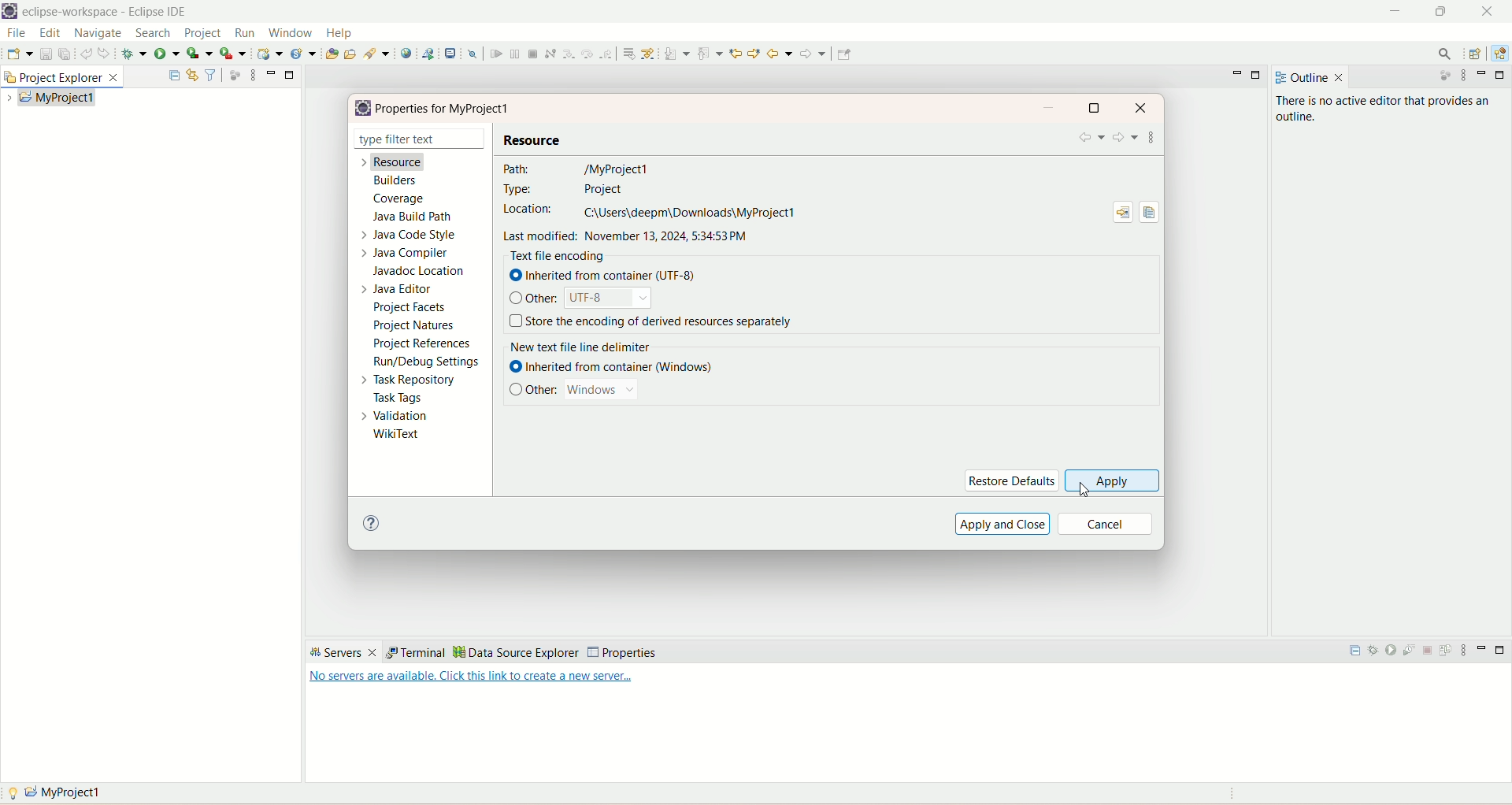  I want to click on minimize, so click(1480, 653).